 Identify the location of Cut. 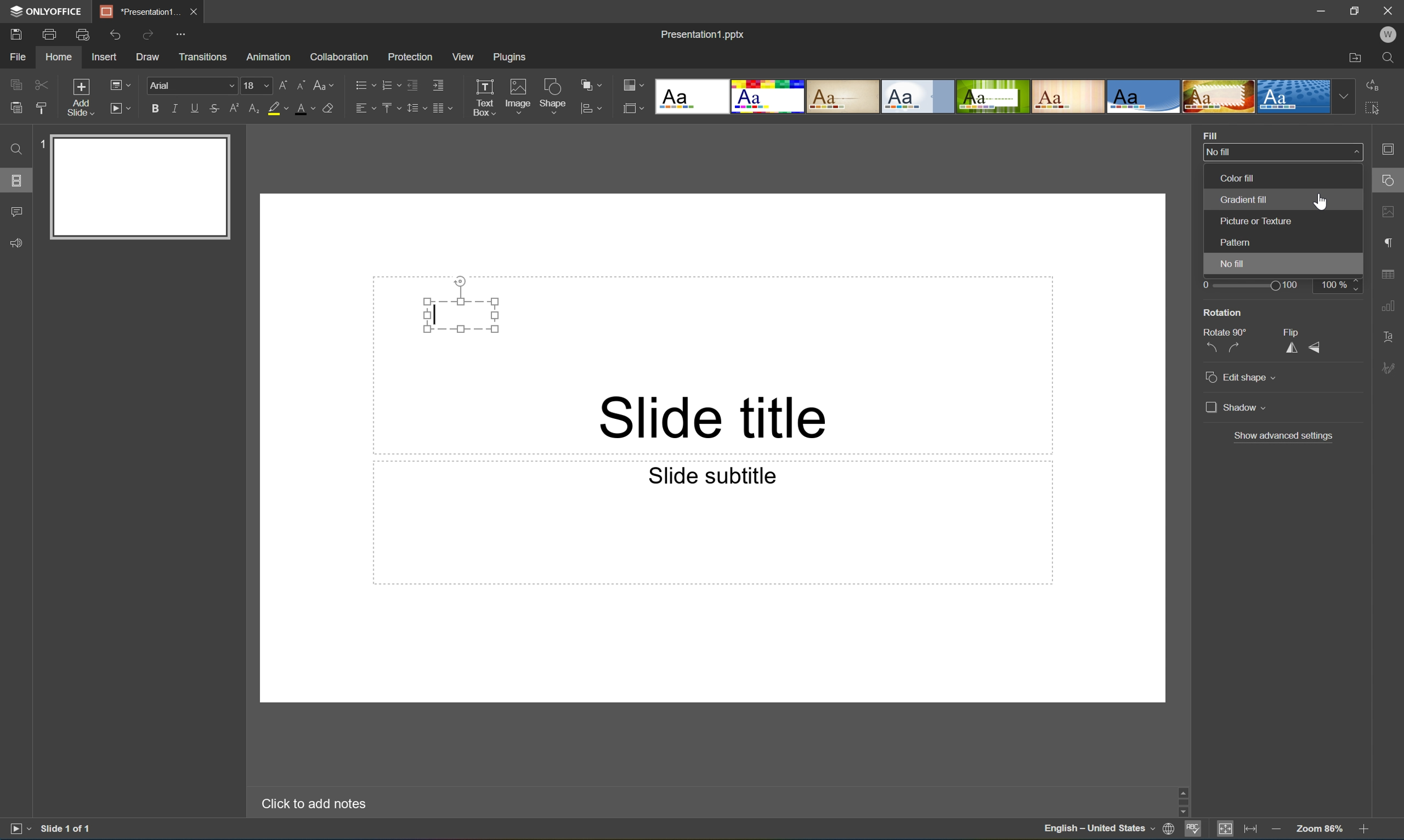
(40, 84).